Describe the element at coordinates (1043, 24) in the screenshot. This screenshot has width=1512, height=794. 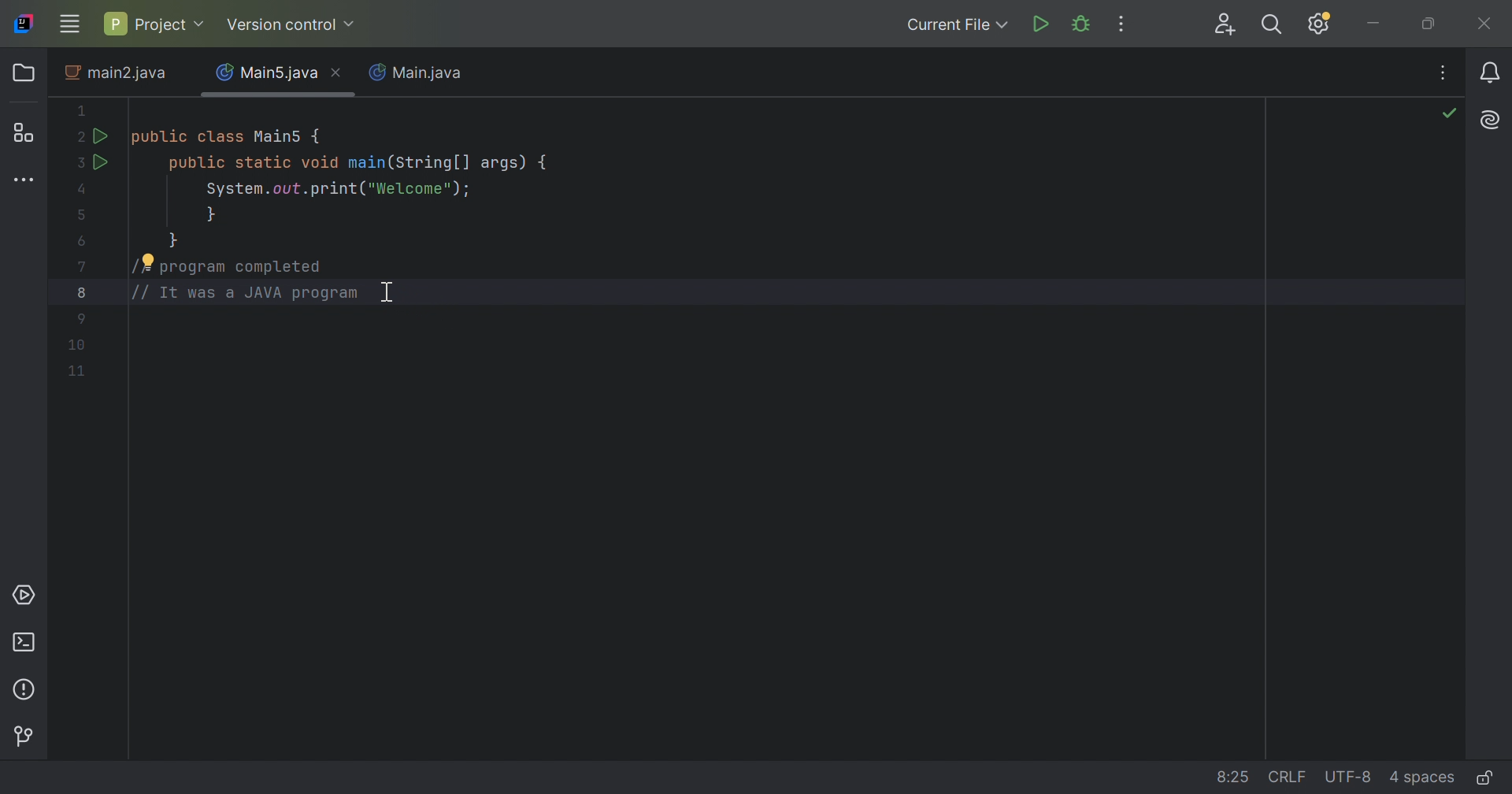
I see `Run` at that location.